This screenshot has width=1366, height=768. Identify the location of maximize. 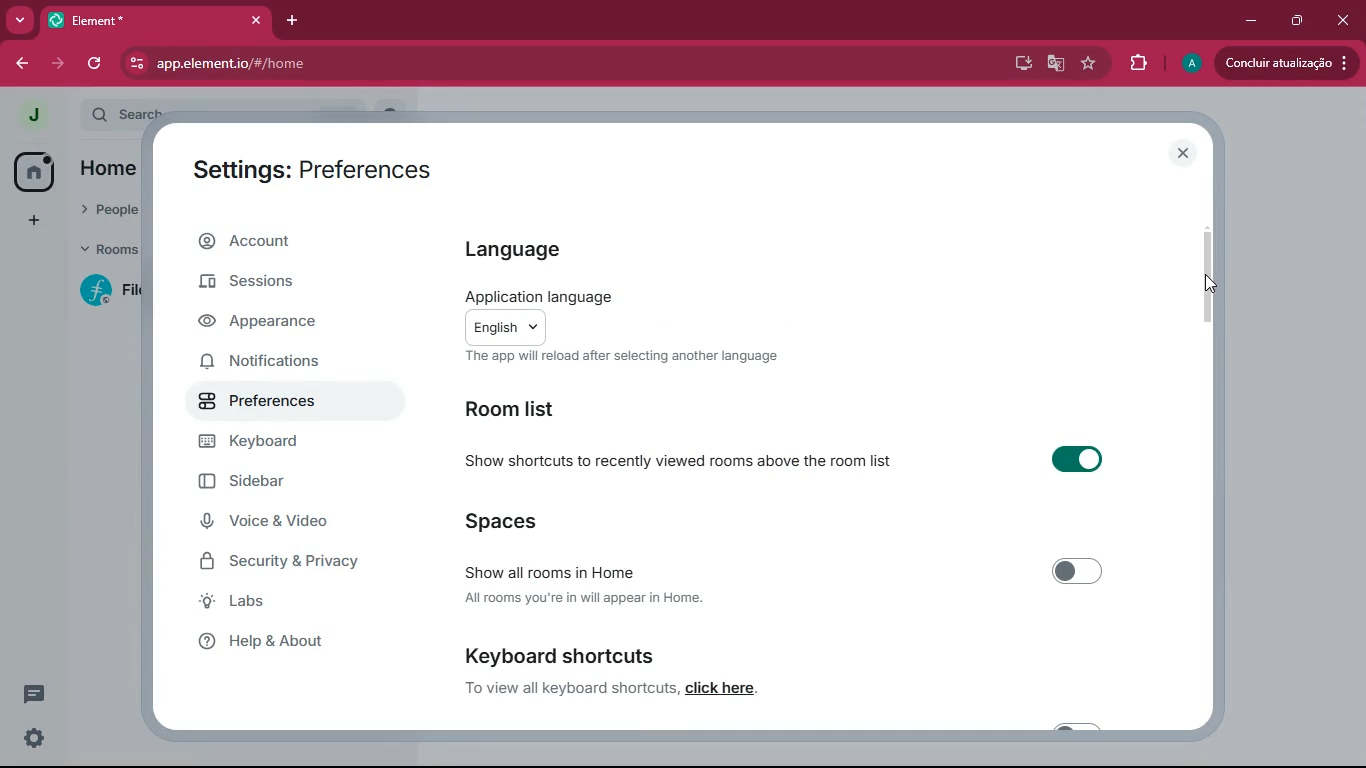
(1293, 21).